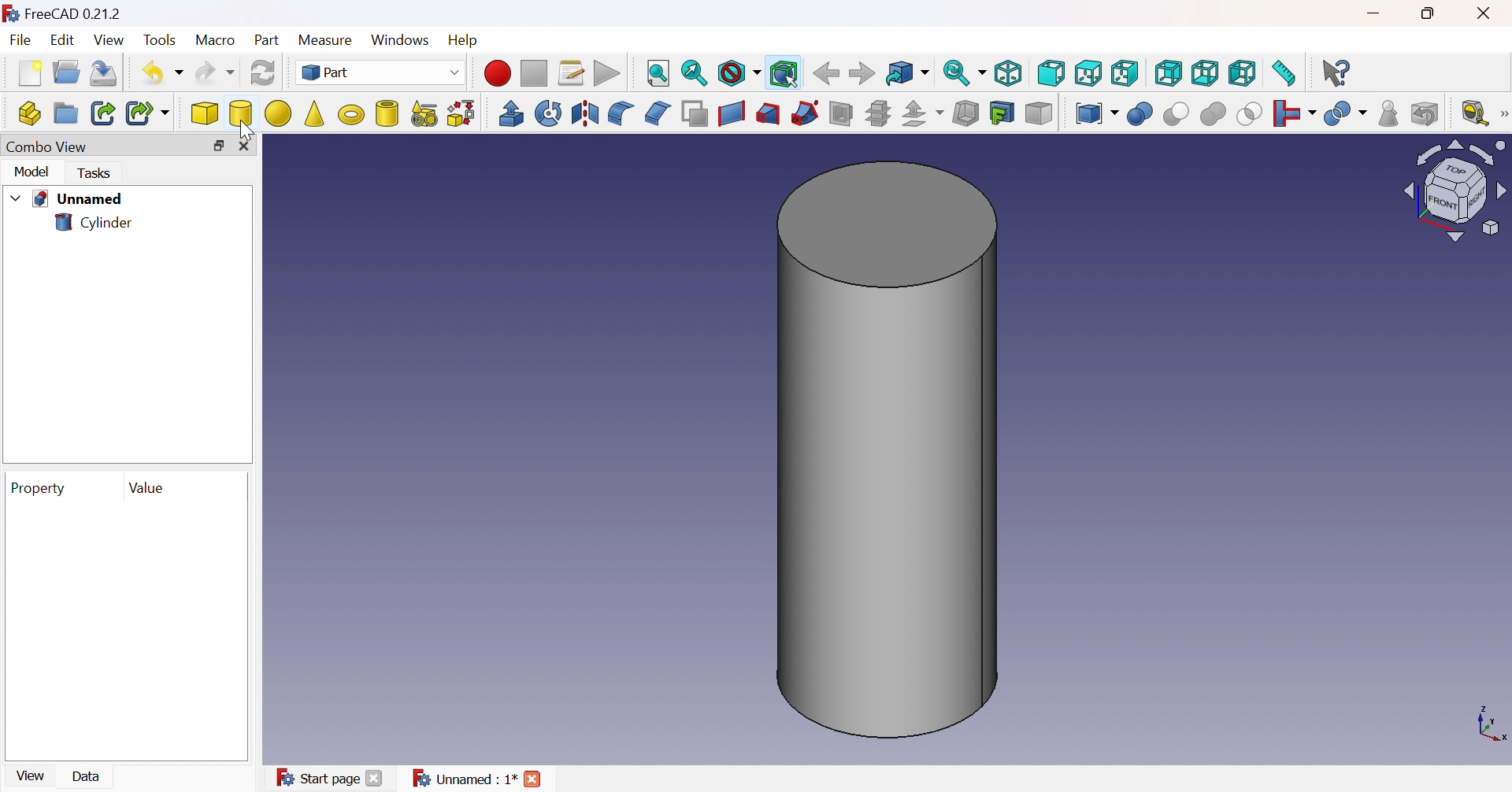  What do you see at coordinates (1010, 72) in the screenshot?
I see `Isometric` at bounding box center [1010, 72].